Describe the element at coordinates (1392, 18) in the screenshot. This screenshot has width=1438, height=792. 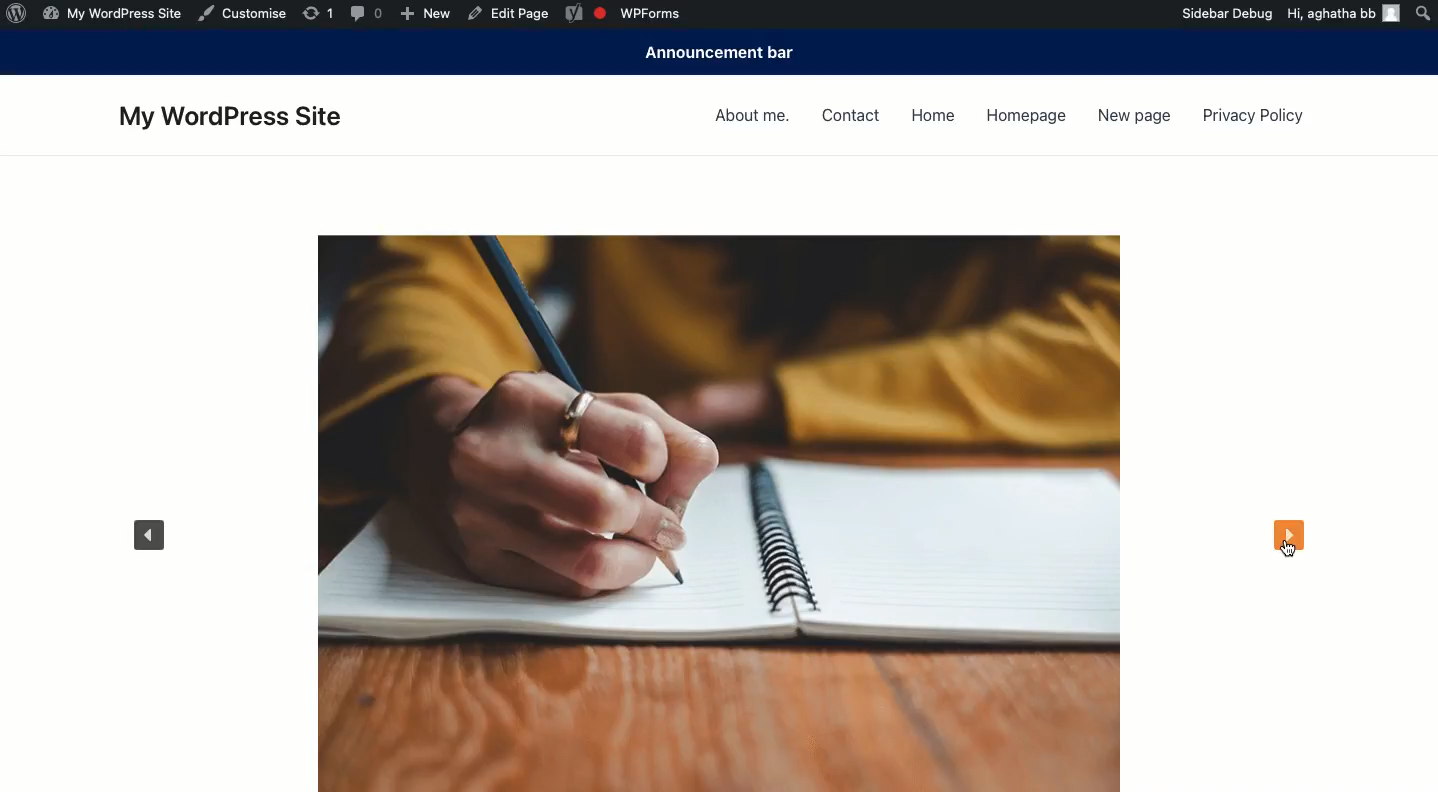
I see `account` at that location.